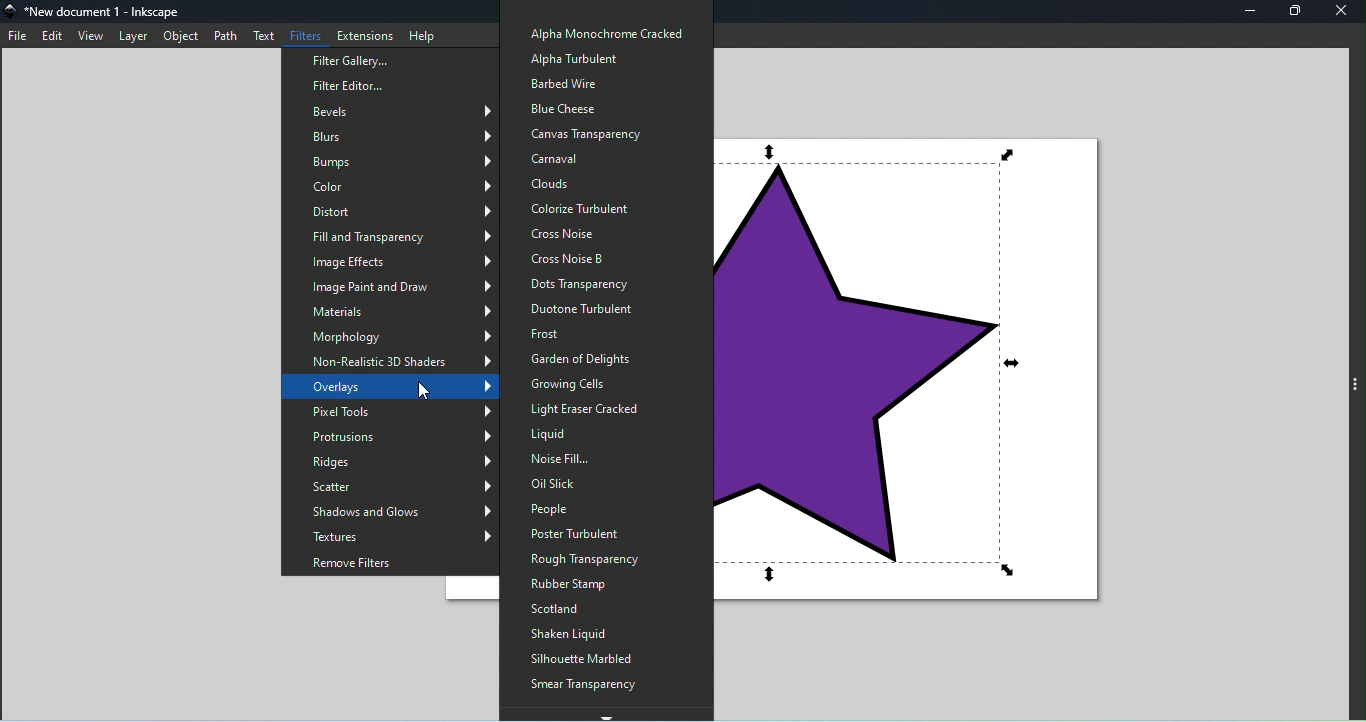 The image size is (1366, 722). What do you see at coordinates (52, 35) in the screenshot?
I see `Edit` at bounding box center [52, 35].